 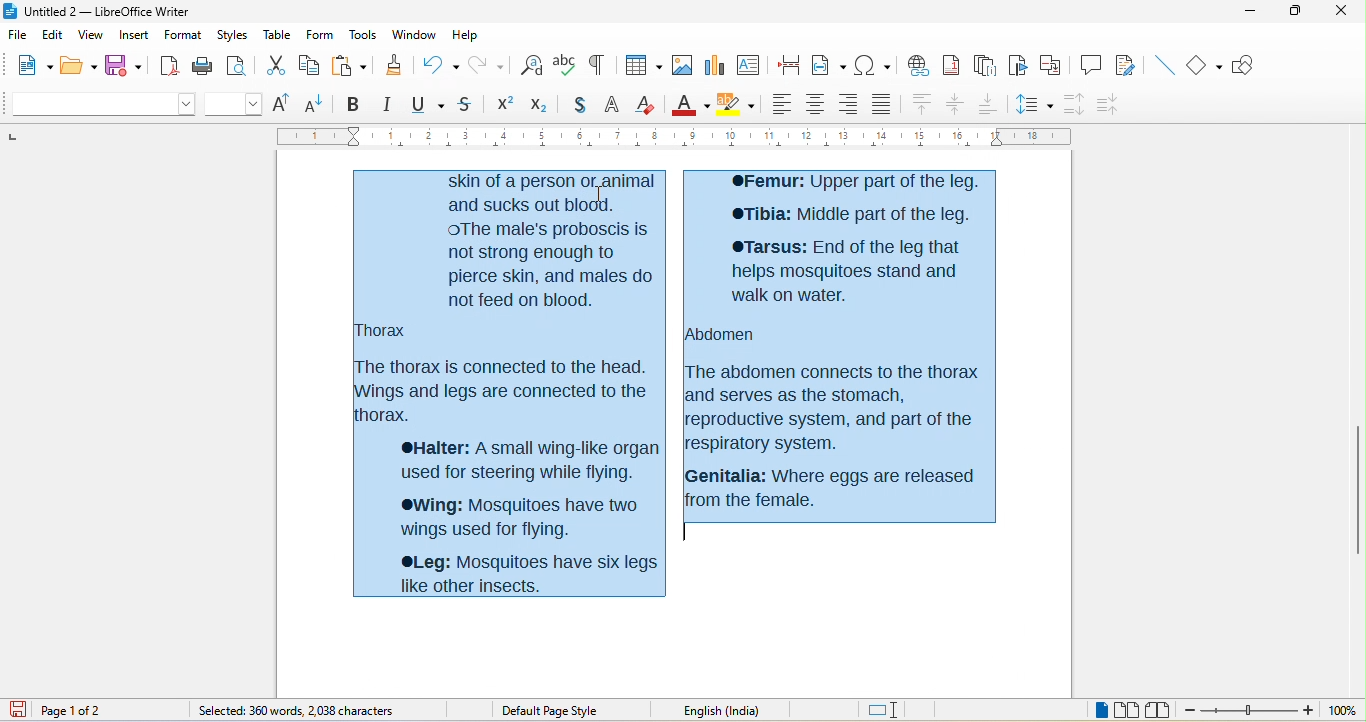 I want to click on bookmark, so click(x=1017, y=68).